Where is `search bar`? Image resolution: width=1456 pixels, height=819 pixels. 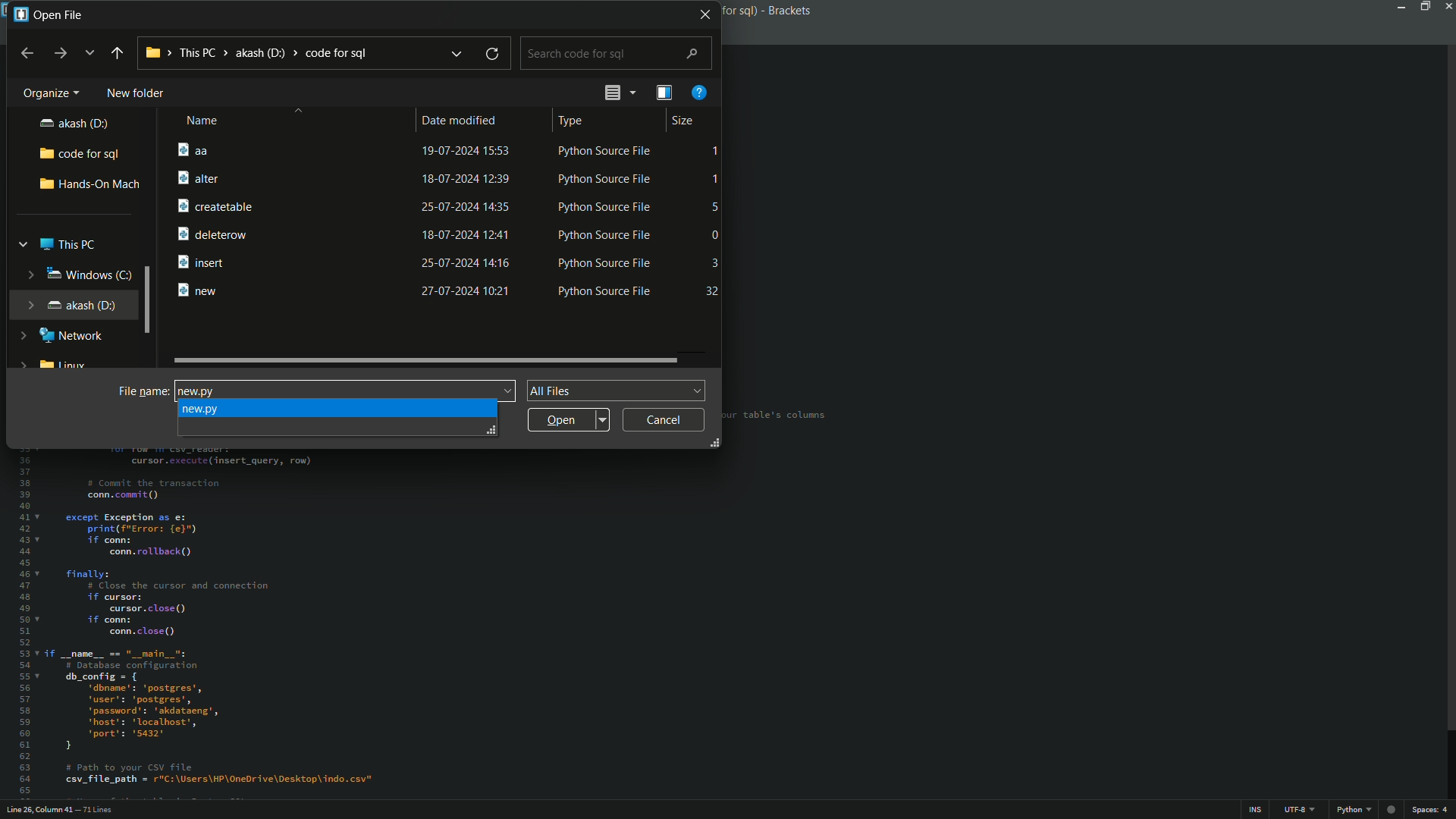 search bar is located at coordinates (620, 54).